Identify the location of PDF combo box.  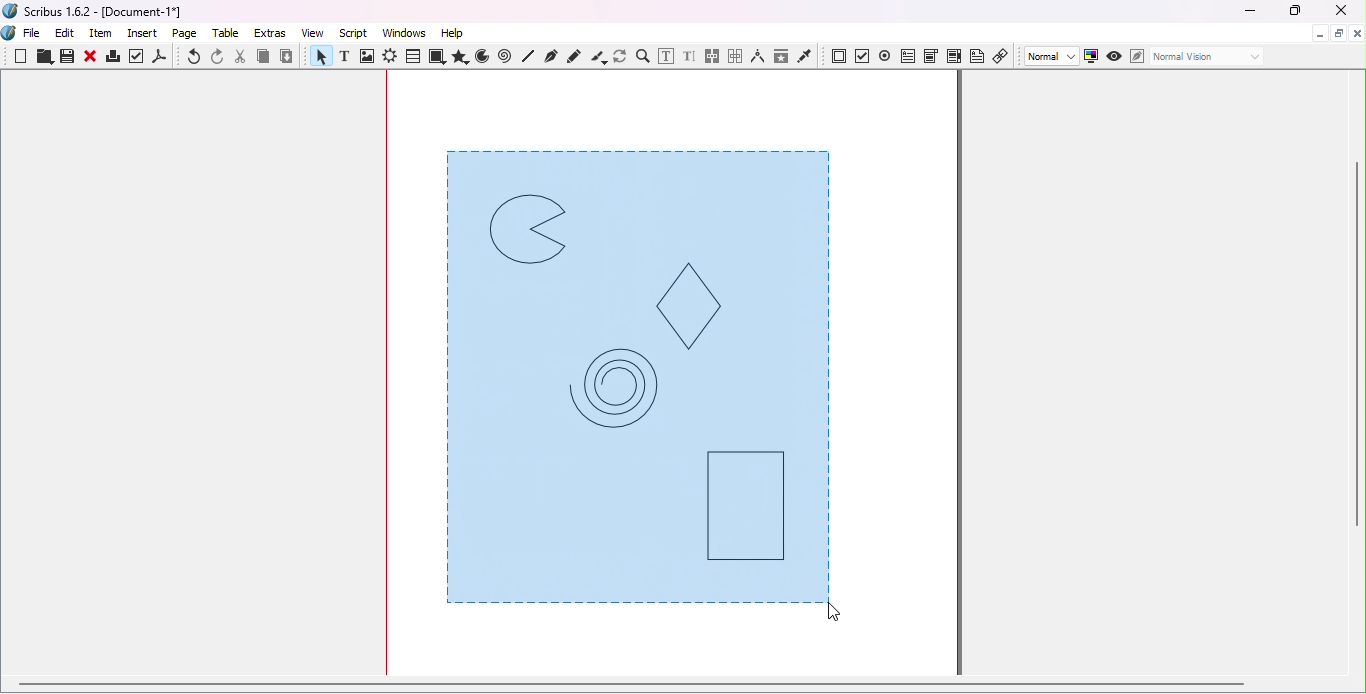
(930, 56).